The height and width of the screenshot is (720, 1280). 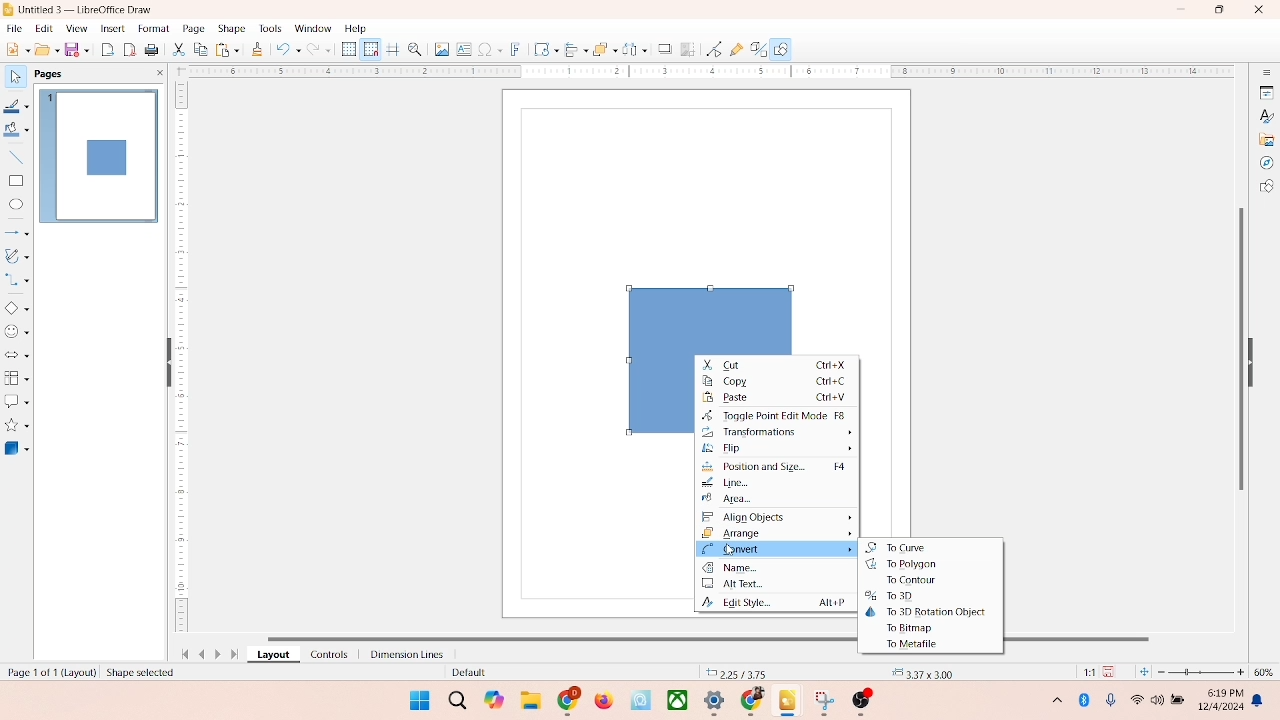 I want to click on controls, so click(x=324, y=654).